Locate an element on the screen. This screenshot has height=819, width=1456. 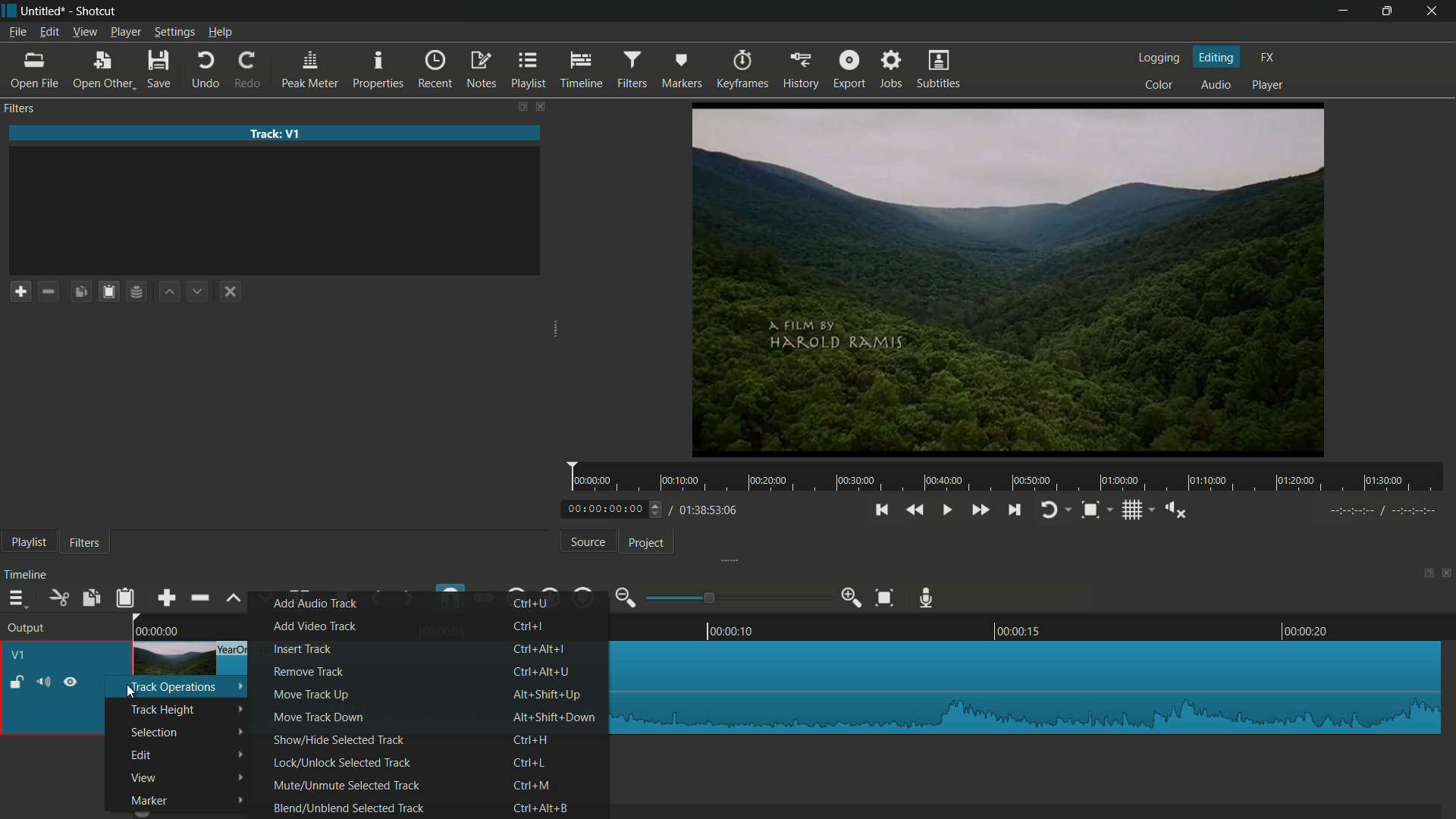
view menu is located at coordinates (86, 32).